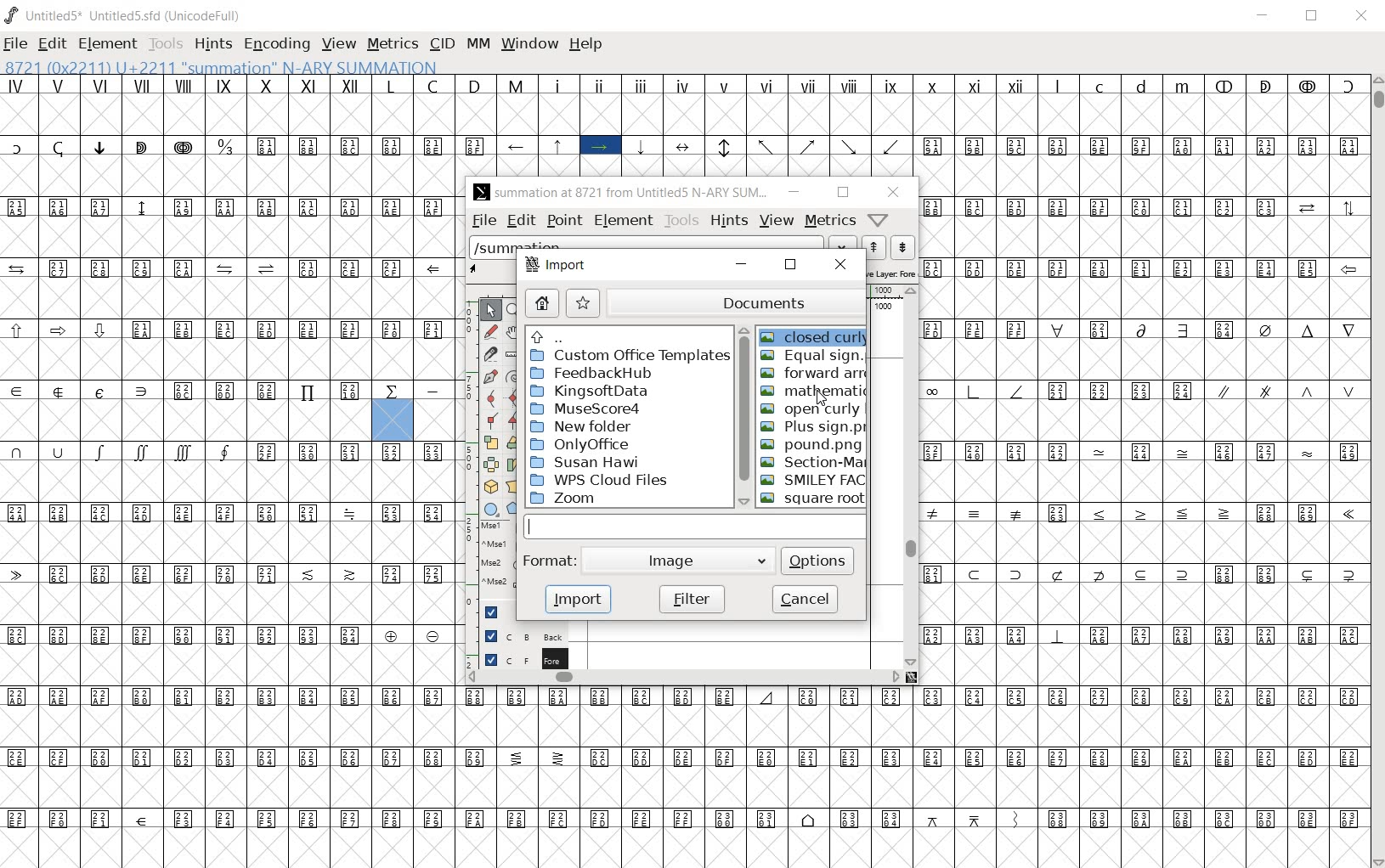 The width and height of the screenshot is (1385, 868). I want to click on minimize, so click(742, 266).